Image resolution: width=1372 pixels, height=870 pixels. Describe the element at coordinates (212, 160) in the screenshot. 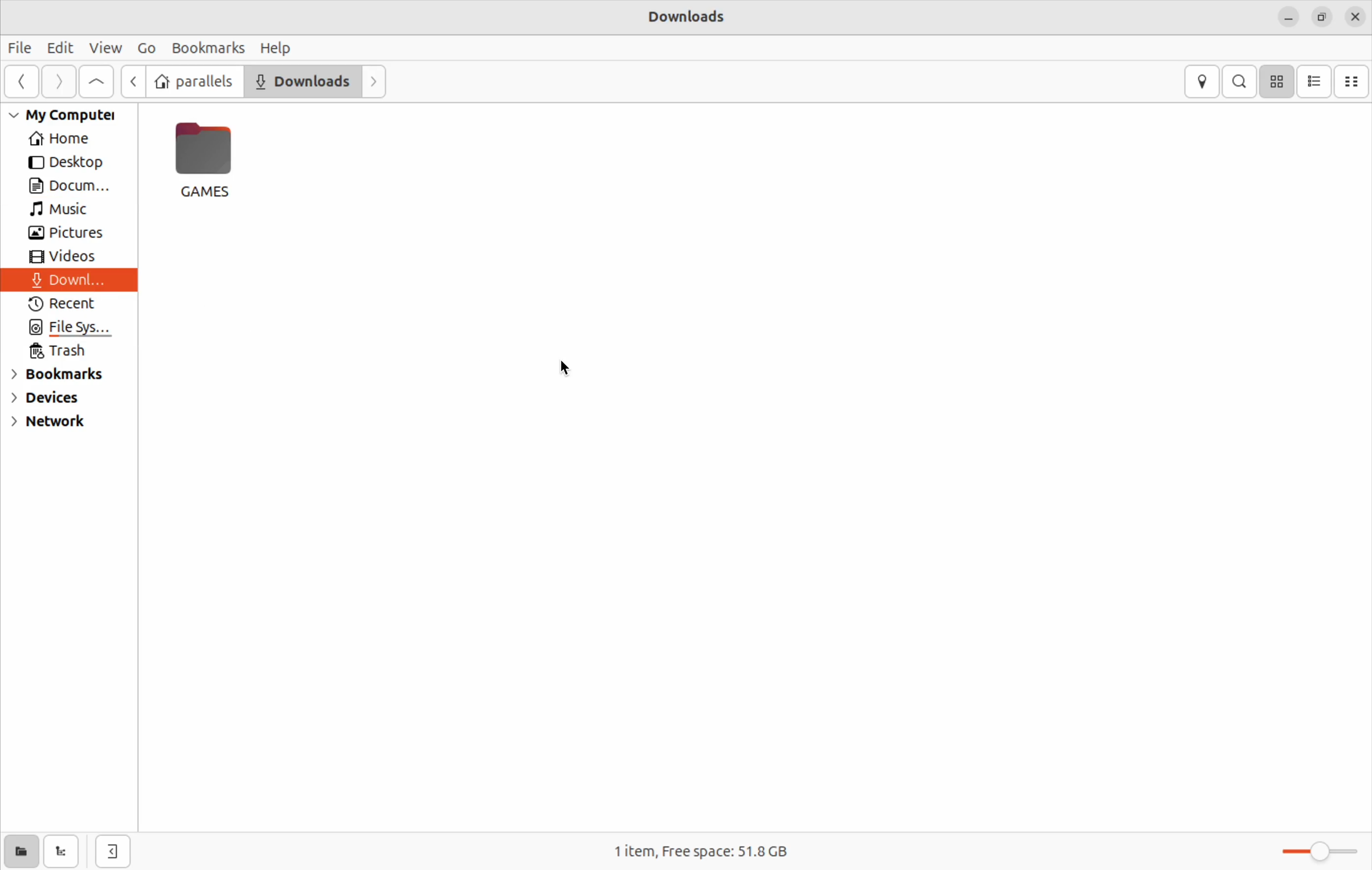

I see `Games` at that location.